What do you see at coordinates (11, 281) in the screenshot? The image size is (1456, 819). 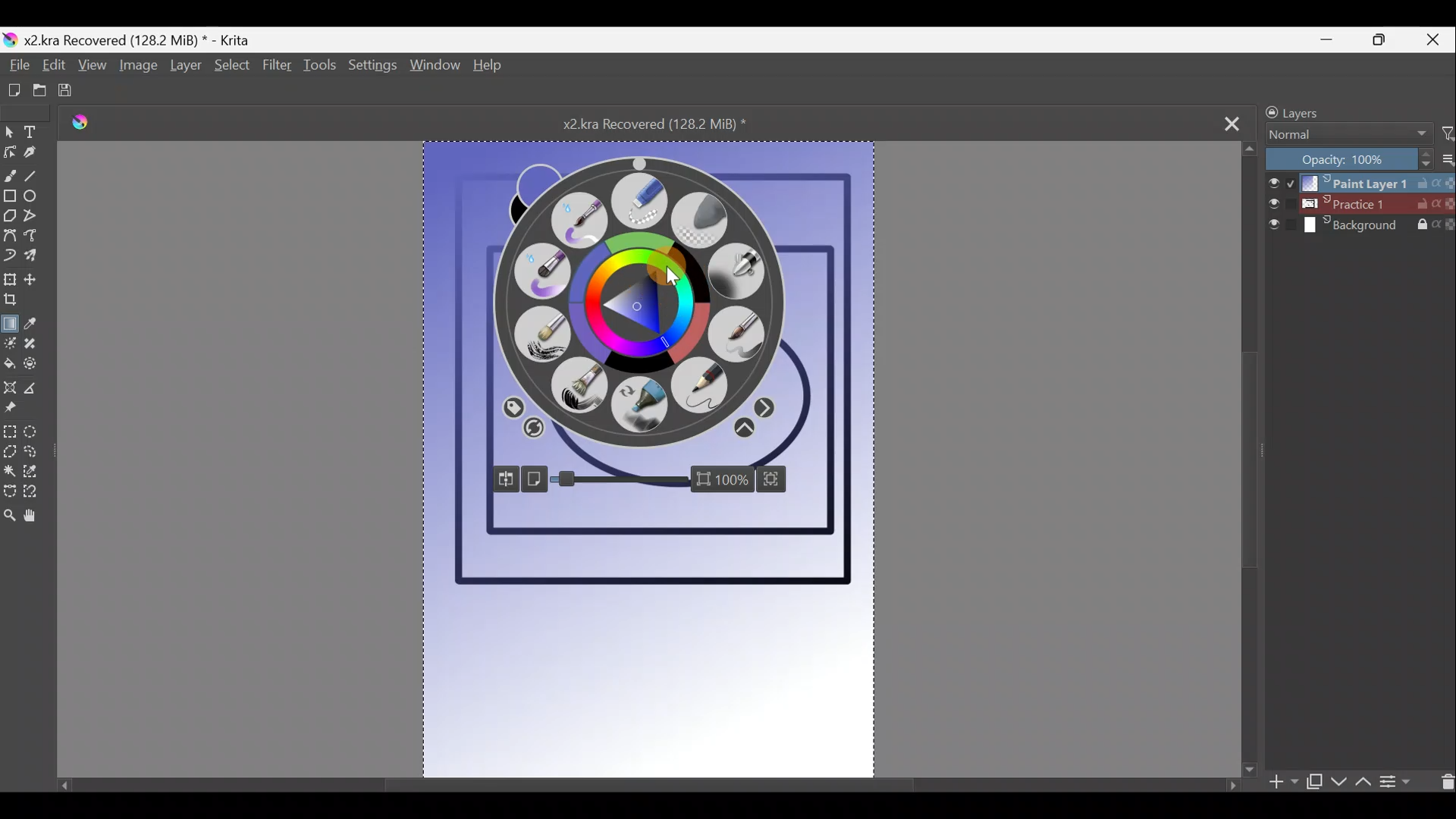 I see `Transform a layer/selection` at bounding box center [11, 281].